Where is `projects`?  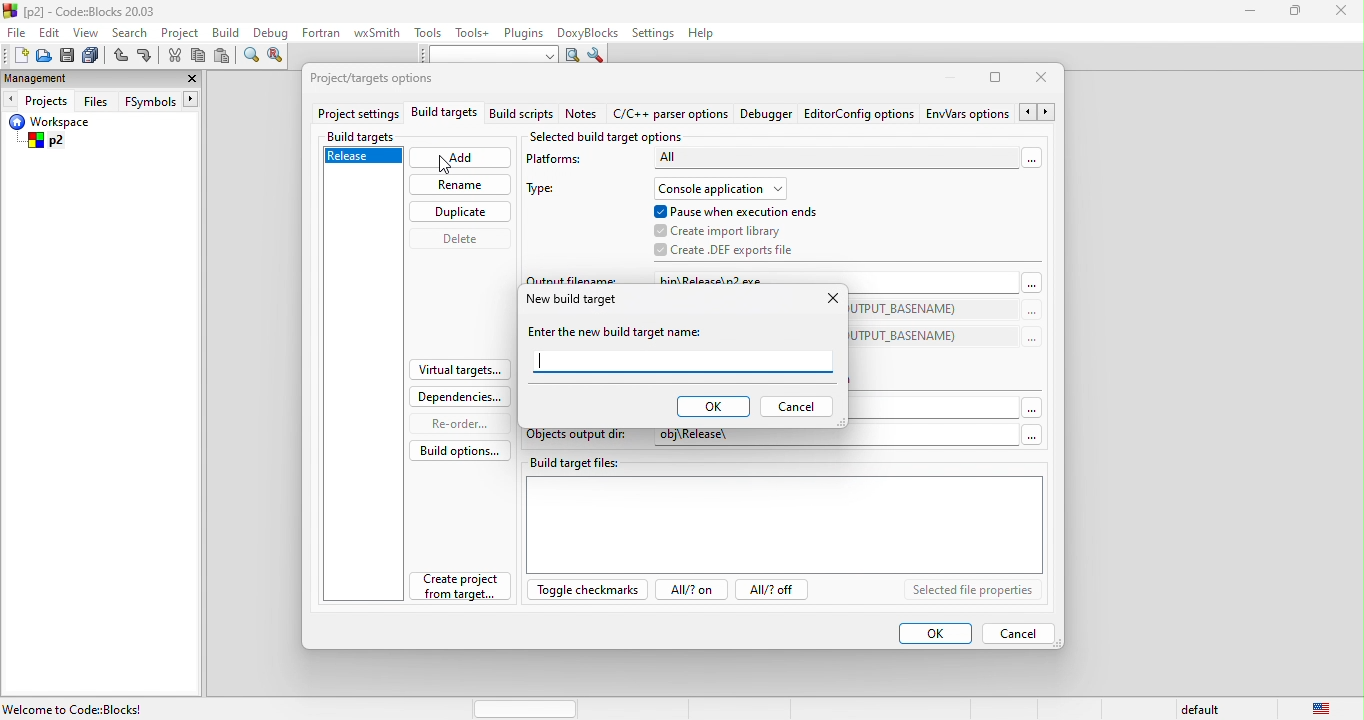 projects is located at coordinates (37, 99).